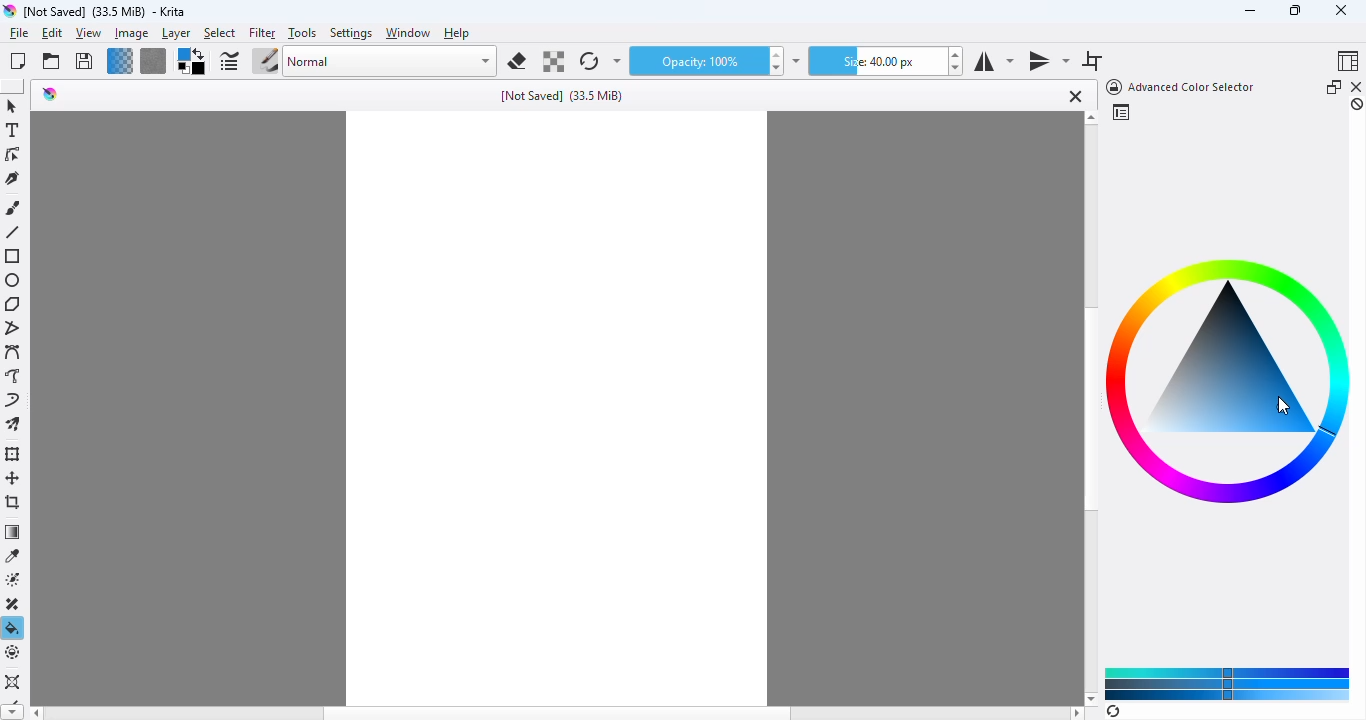 The width and height of the screenshot is (1366, 720). What do you see at coordinates (12, 232) in the screenshot?
I see `line tool` at bounding box center [12, 232].